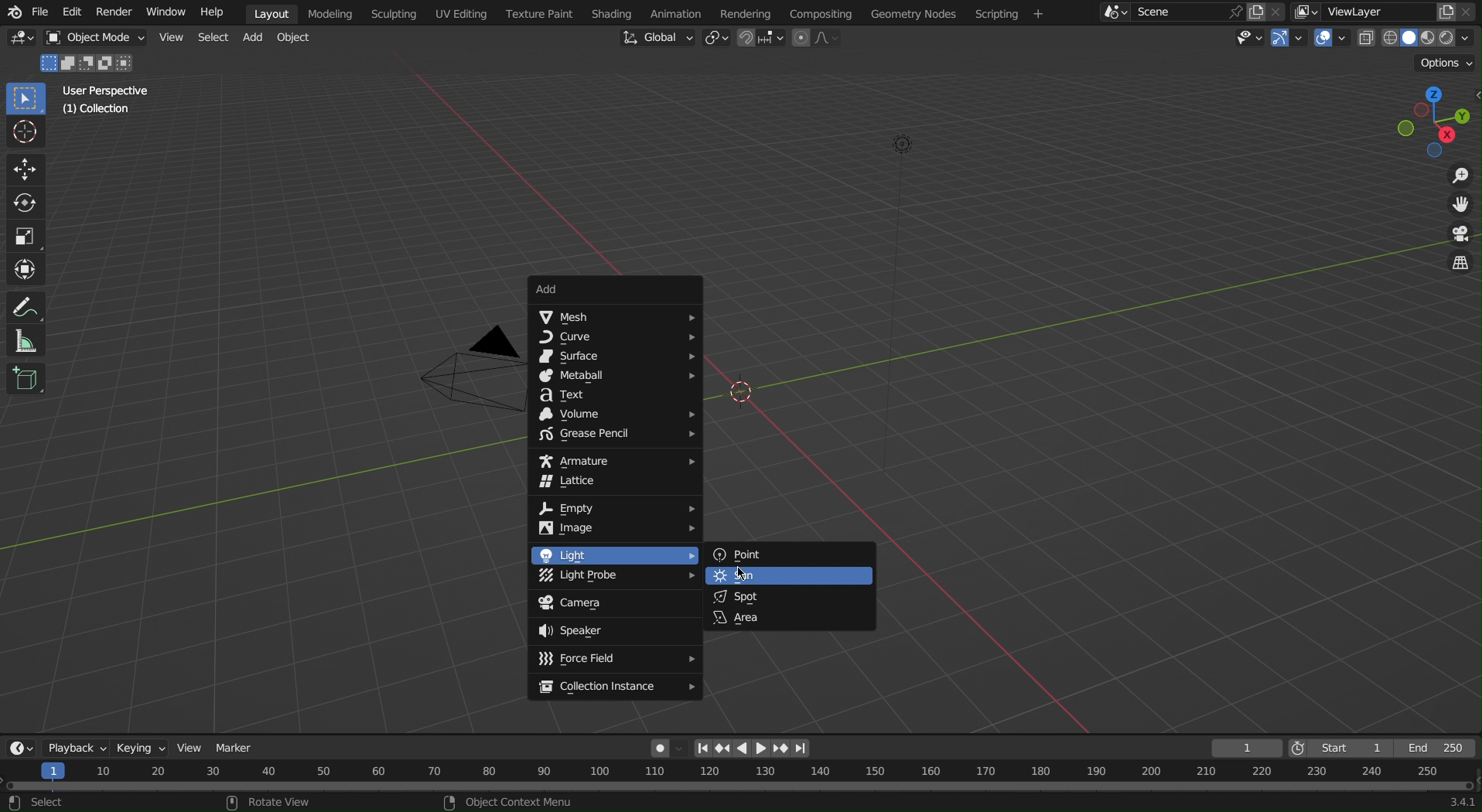 This screenshot has height=812, width=1482. Describe the element at coordinates (29, 305) in the screenshot. I see `Annotate` at that location.